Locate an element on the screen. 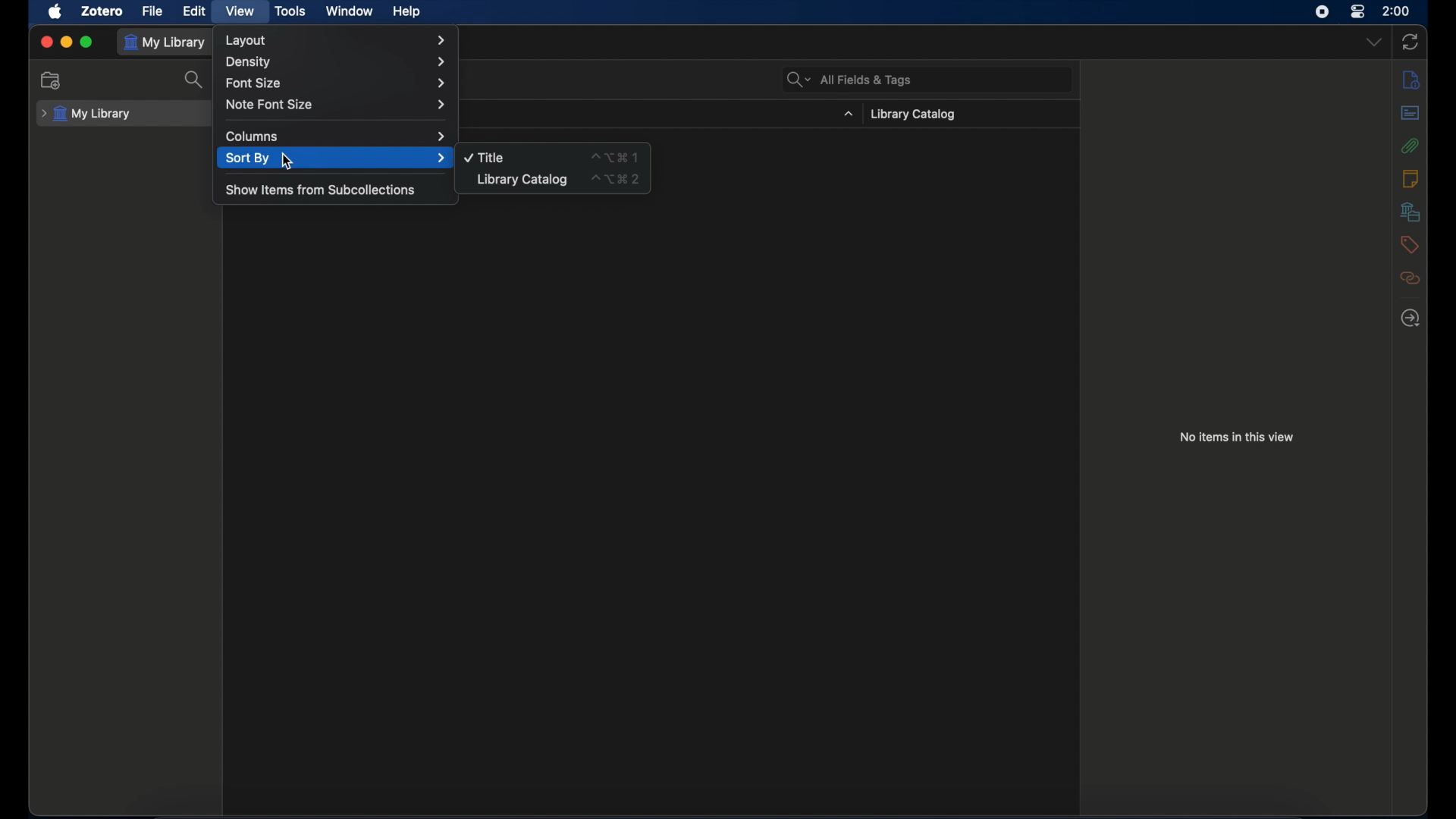  zotero is located at coordinates (103, 12).